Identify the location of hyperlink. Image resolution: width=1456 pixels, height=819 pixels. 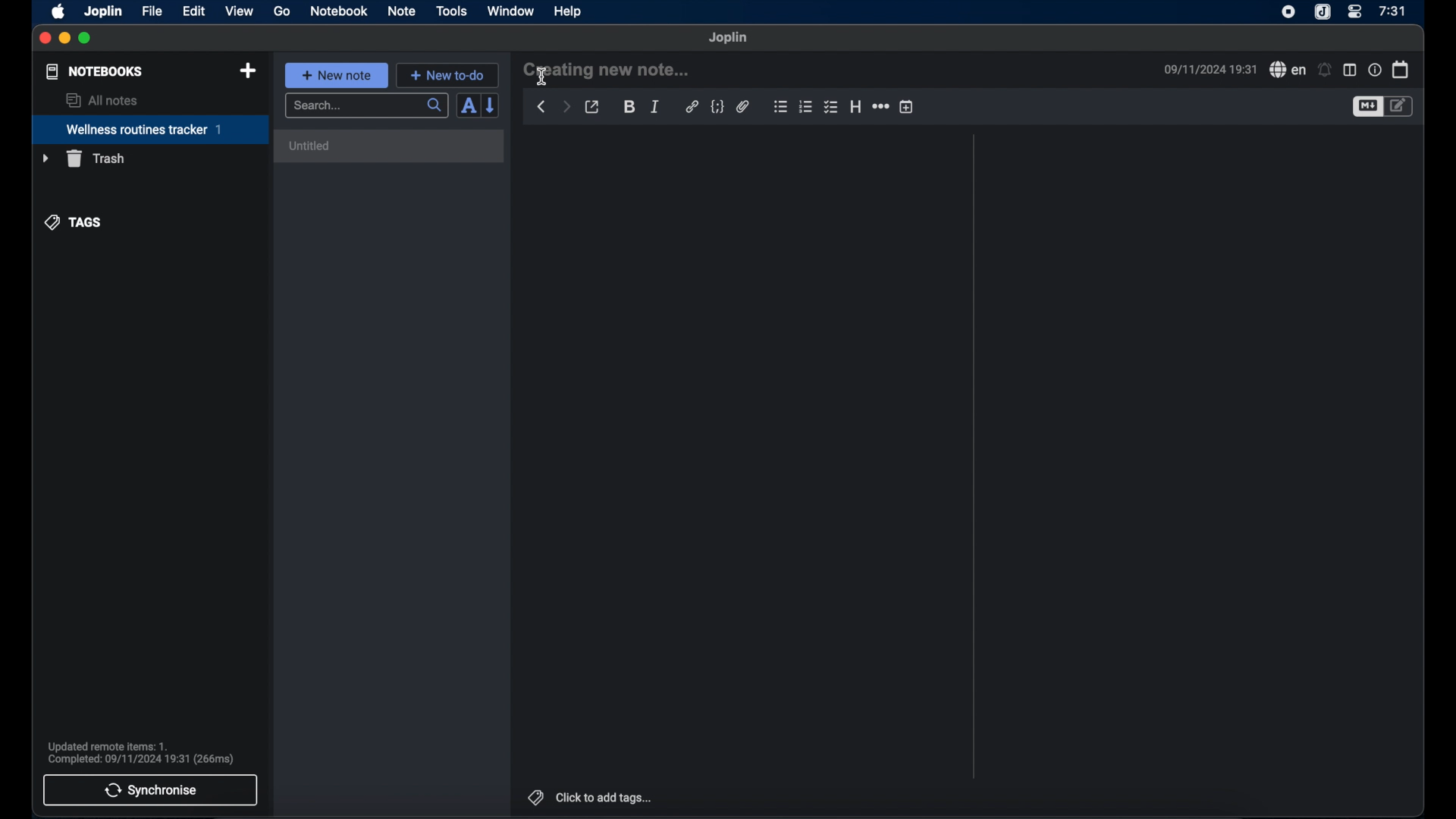
(692, 107).